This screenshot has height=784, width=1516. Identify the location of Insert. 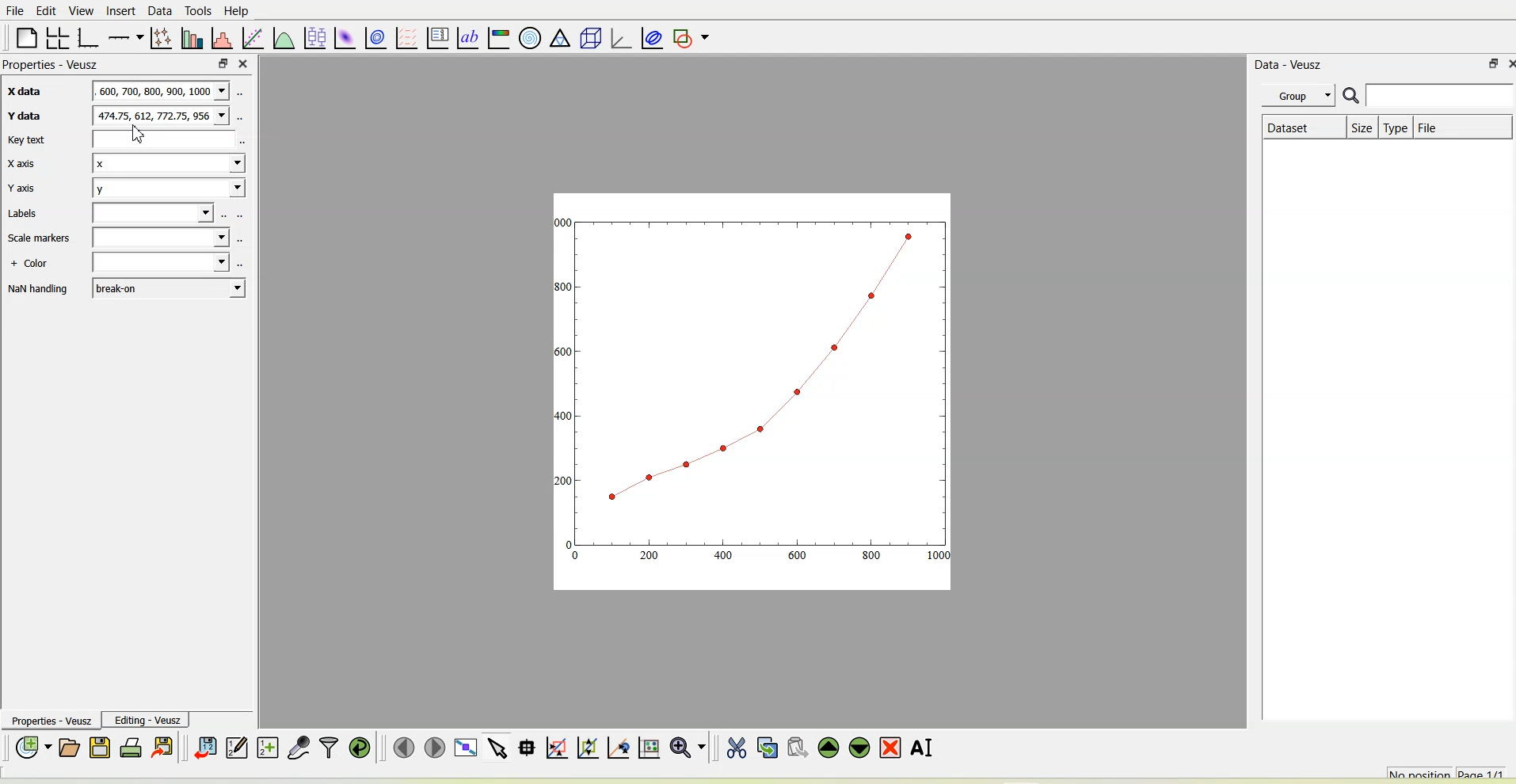
(120, 10).